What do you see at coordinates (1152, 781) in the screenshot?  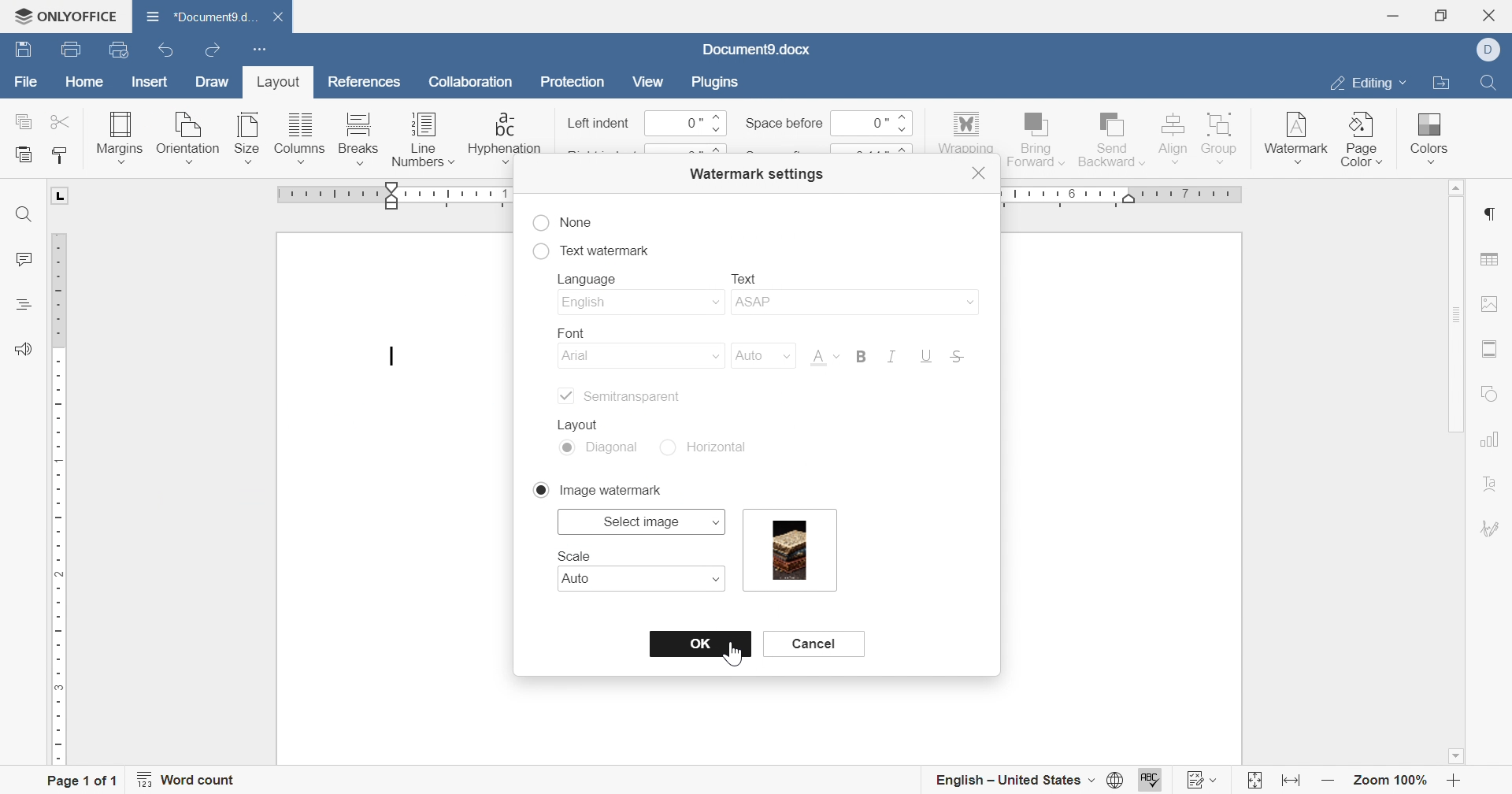 I see `spell checking` at bounding box center [1152, 781].